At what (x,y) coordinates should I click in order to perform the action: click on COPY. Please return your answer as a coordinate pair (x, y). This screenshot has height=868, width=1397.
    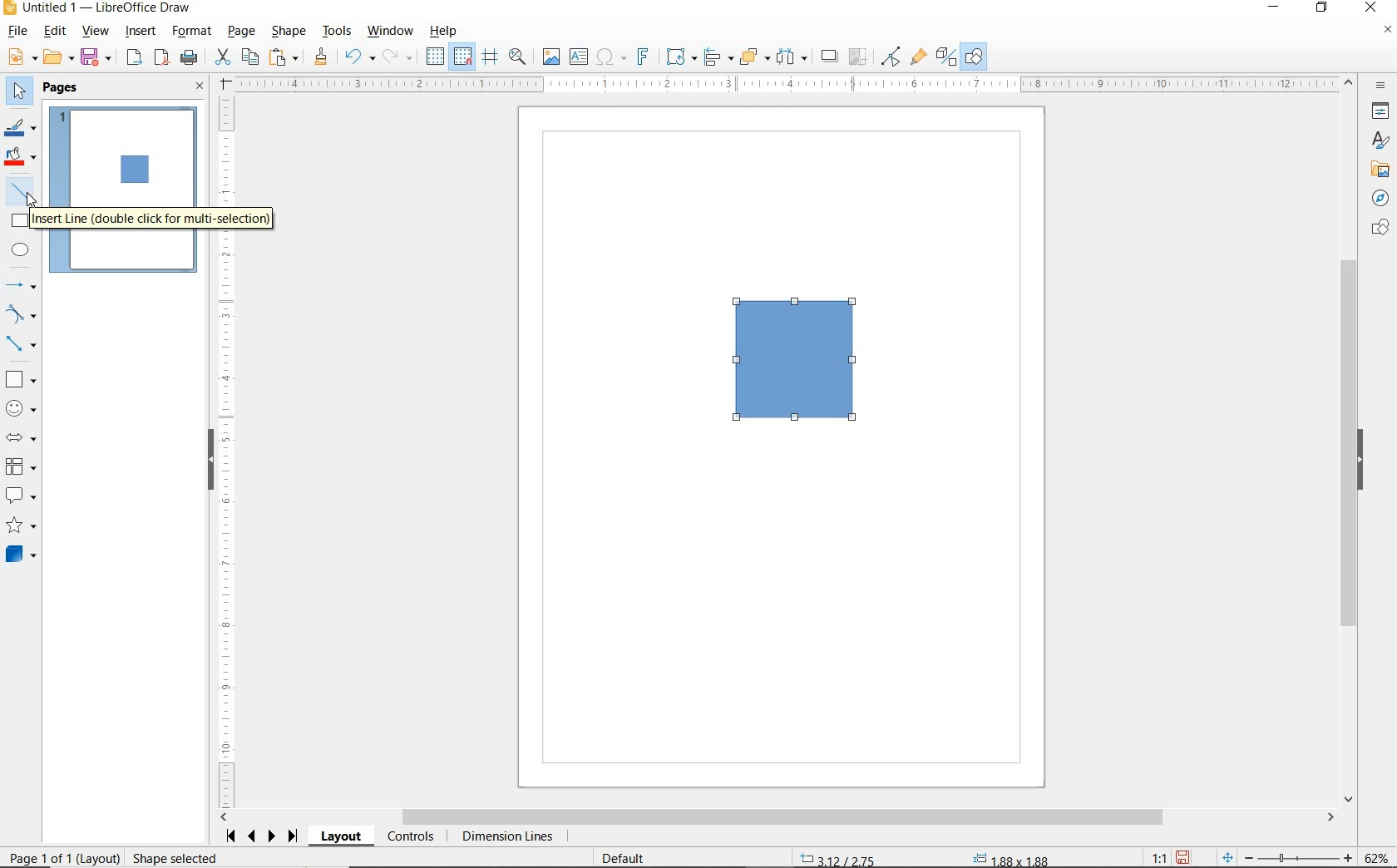
    Looking at the image, I should click on (249, 57).